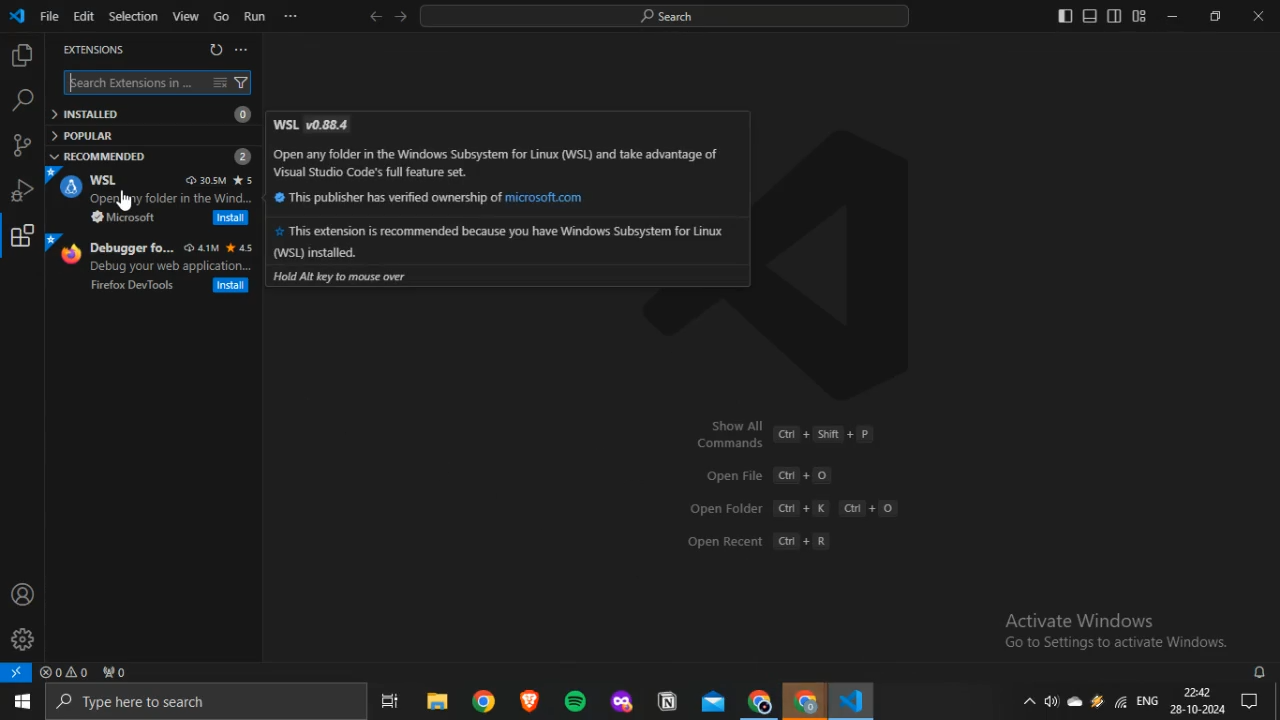 This screenshot has height=720, width=1280. Describe the element at coordinates (622, 700) in the screenshot. I see `mozilla firefox` at that location.